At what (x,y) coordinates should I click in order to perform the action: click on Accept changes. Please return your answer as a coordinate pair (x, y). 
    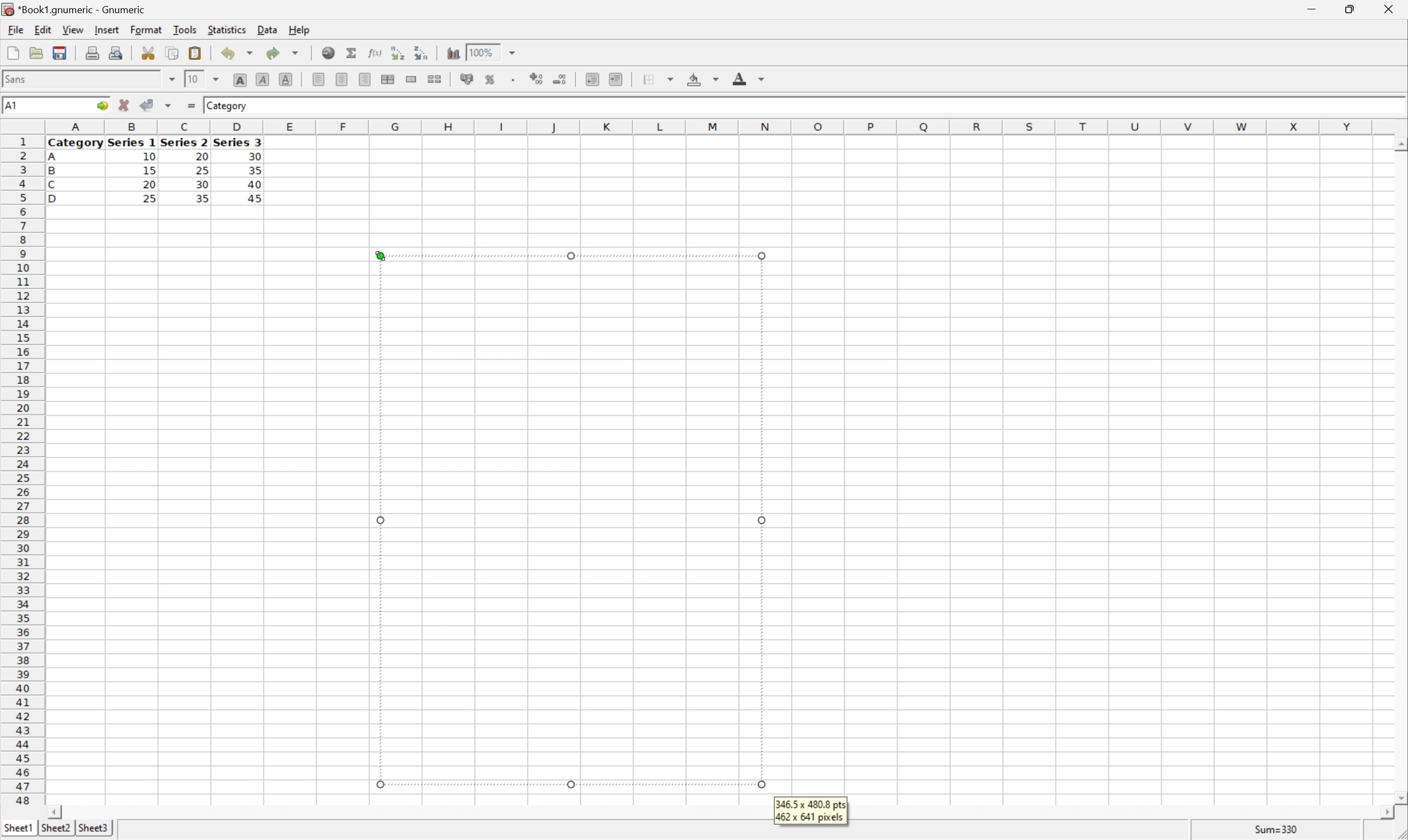
    Looking at the image, I should click on (145, 104).